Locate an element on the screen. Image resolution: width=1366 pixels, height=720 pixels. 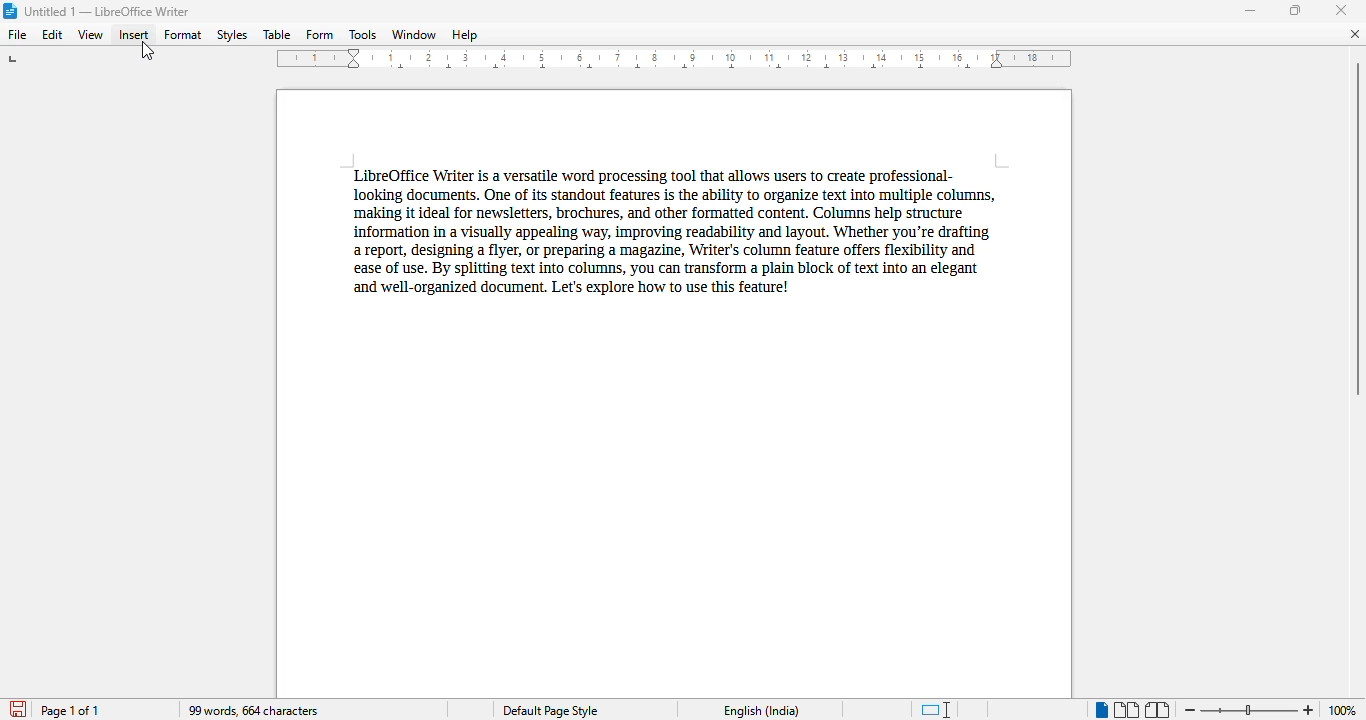
form is located at coordinates (319, 35).